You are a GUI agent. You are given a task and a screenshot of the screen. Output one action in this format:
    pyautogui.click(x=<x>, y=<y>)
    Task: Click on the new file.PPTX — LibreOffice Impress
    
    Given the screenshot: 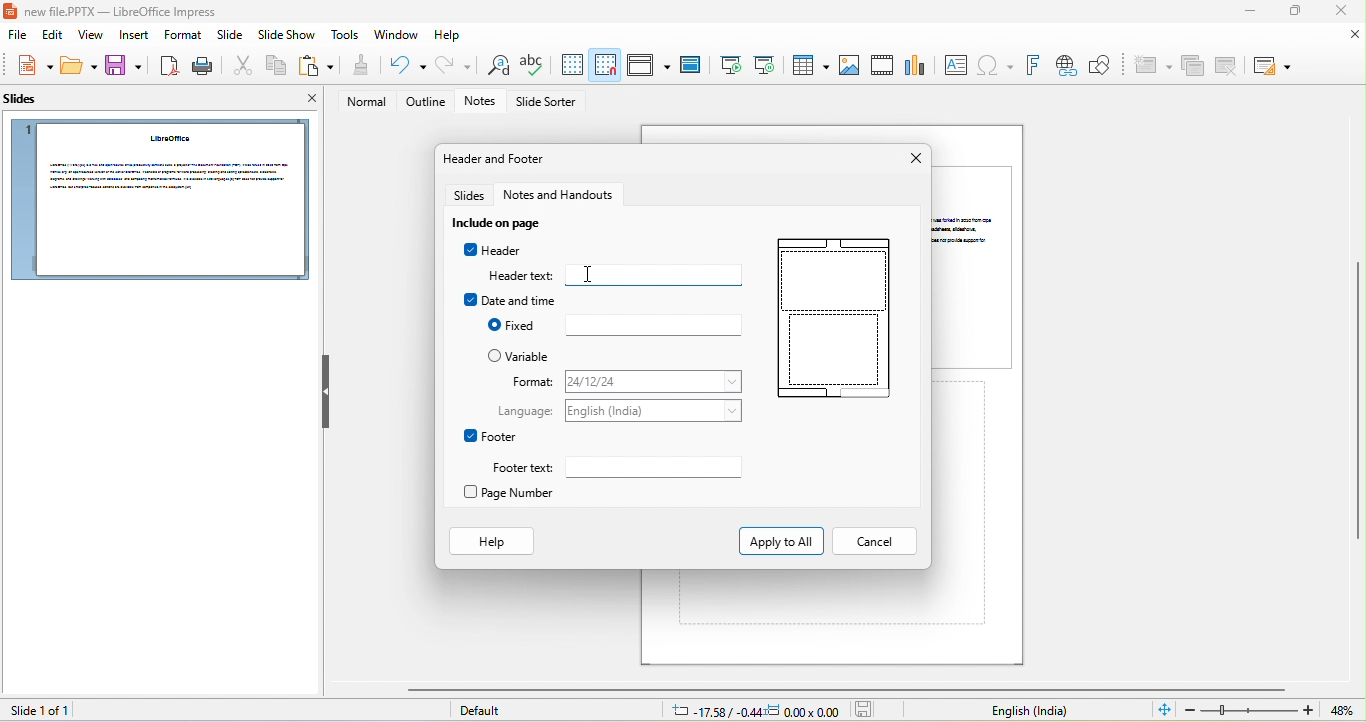 What is the action you would take?
    pyautogui.click(x=116, y=11)
    